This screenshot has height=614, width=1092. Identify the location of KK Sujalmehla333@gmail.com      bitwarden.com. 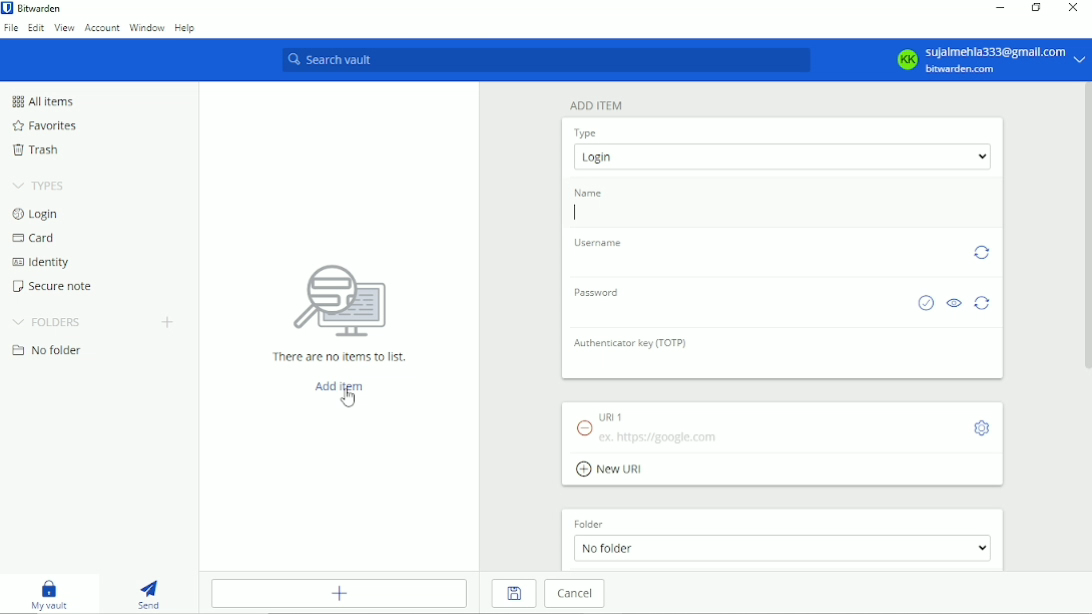
(985, 59).